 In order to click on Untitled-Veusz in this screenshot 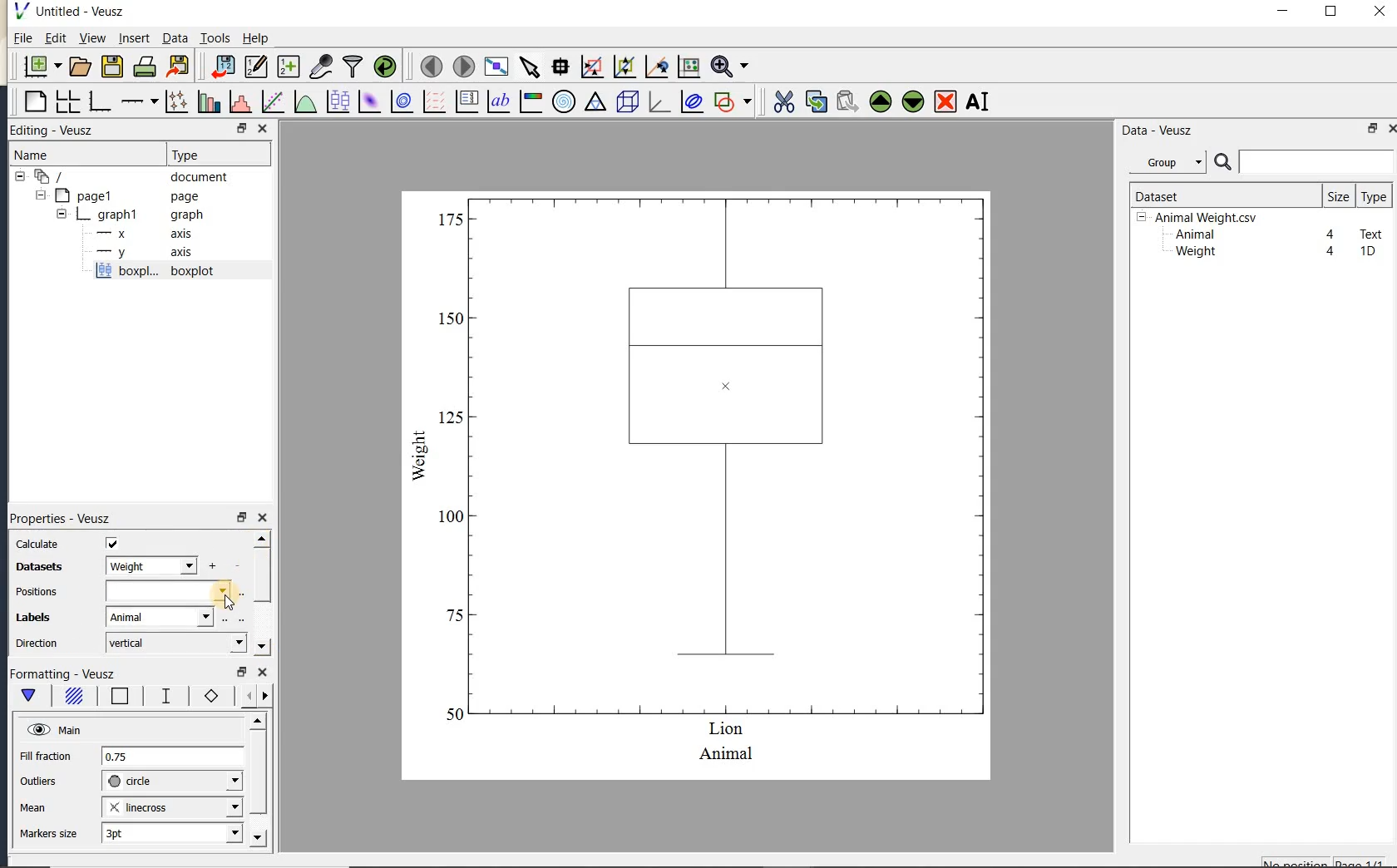, I will do `click(74, 12)`.